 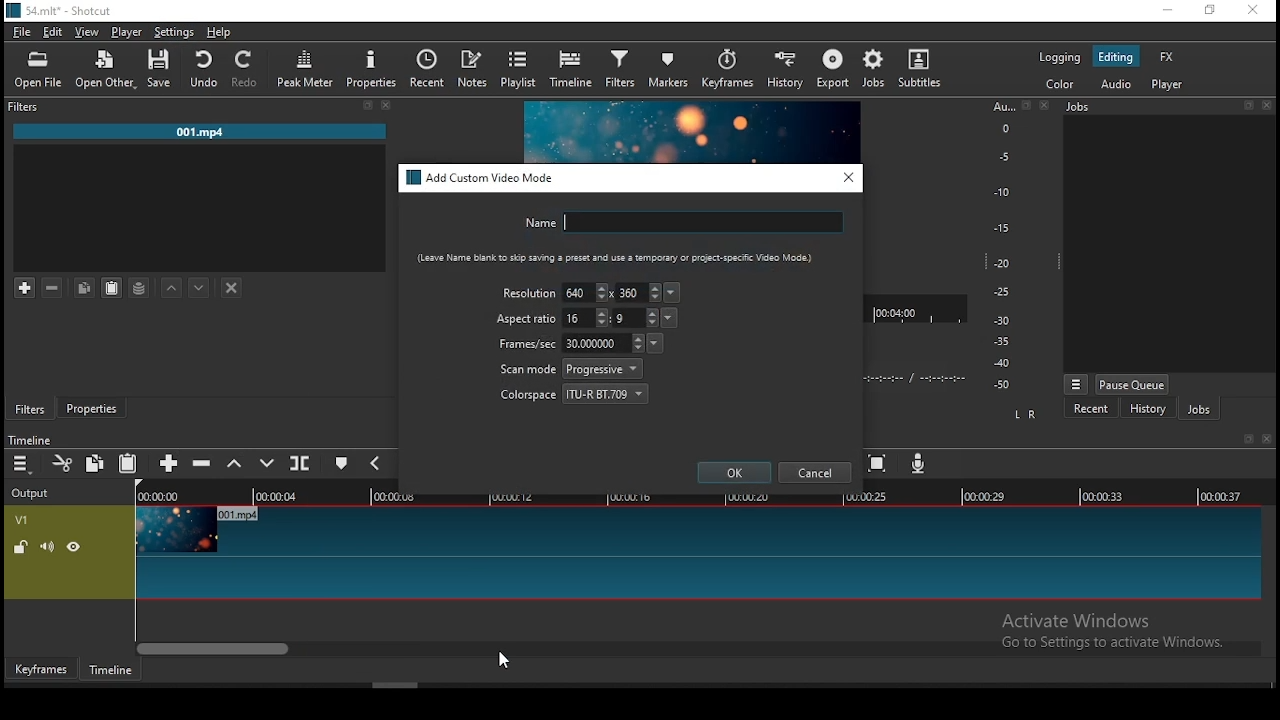 I want to click on edit, so click(x=53, y=33).